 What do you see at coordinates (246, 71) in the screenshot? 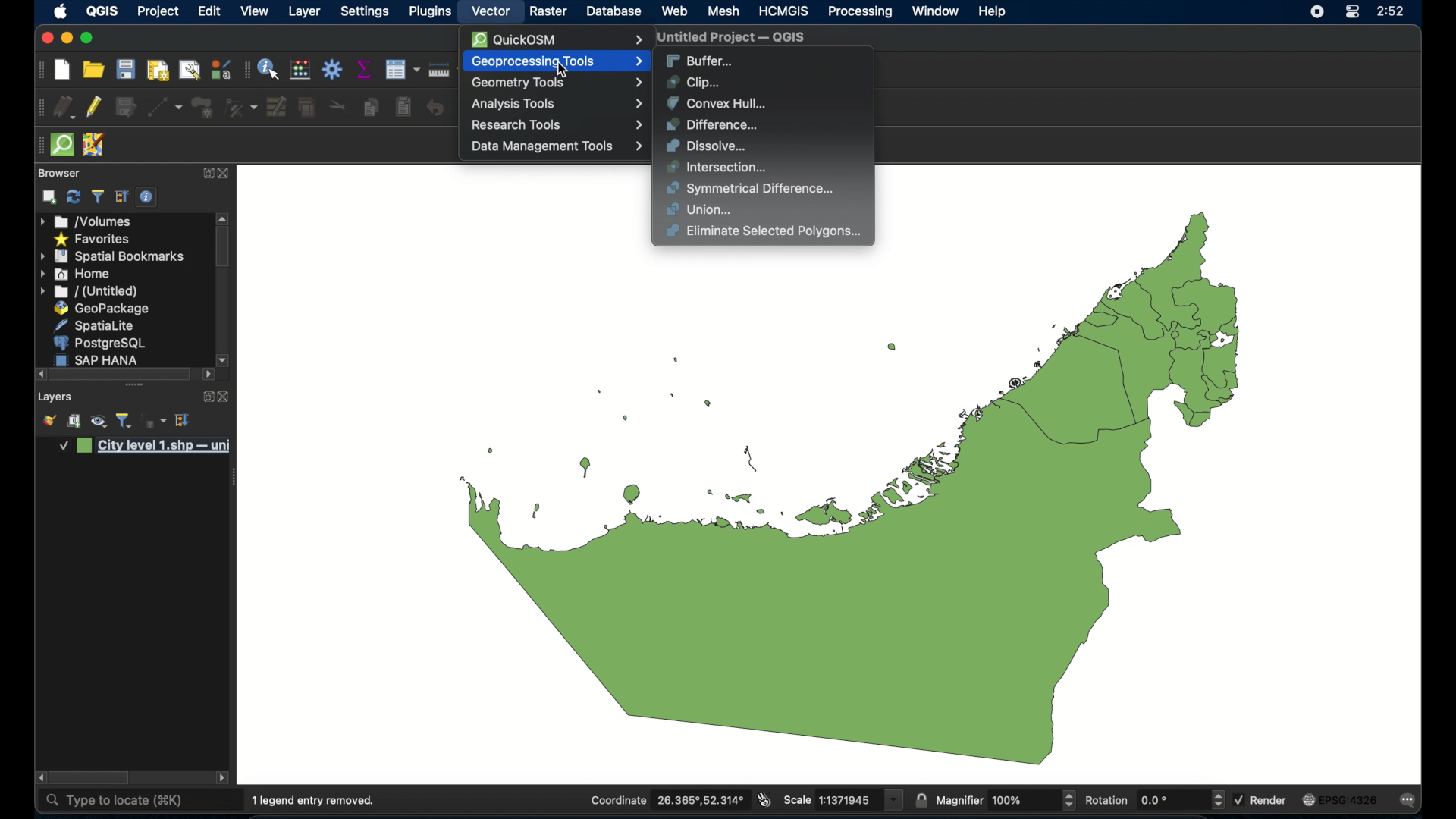
I see `attribute table` at bounding box center [246, 71].